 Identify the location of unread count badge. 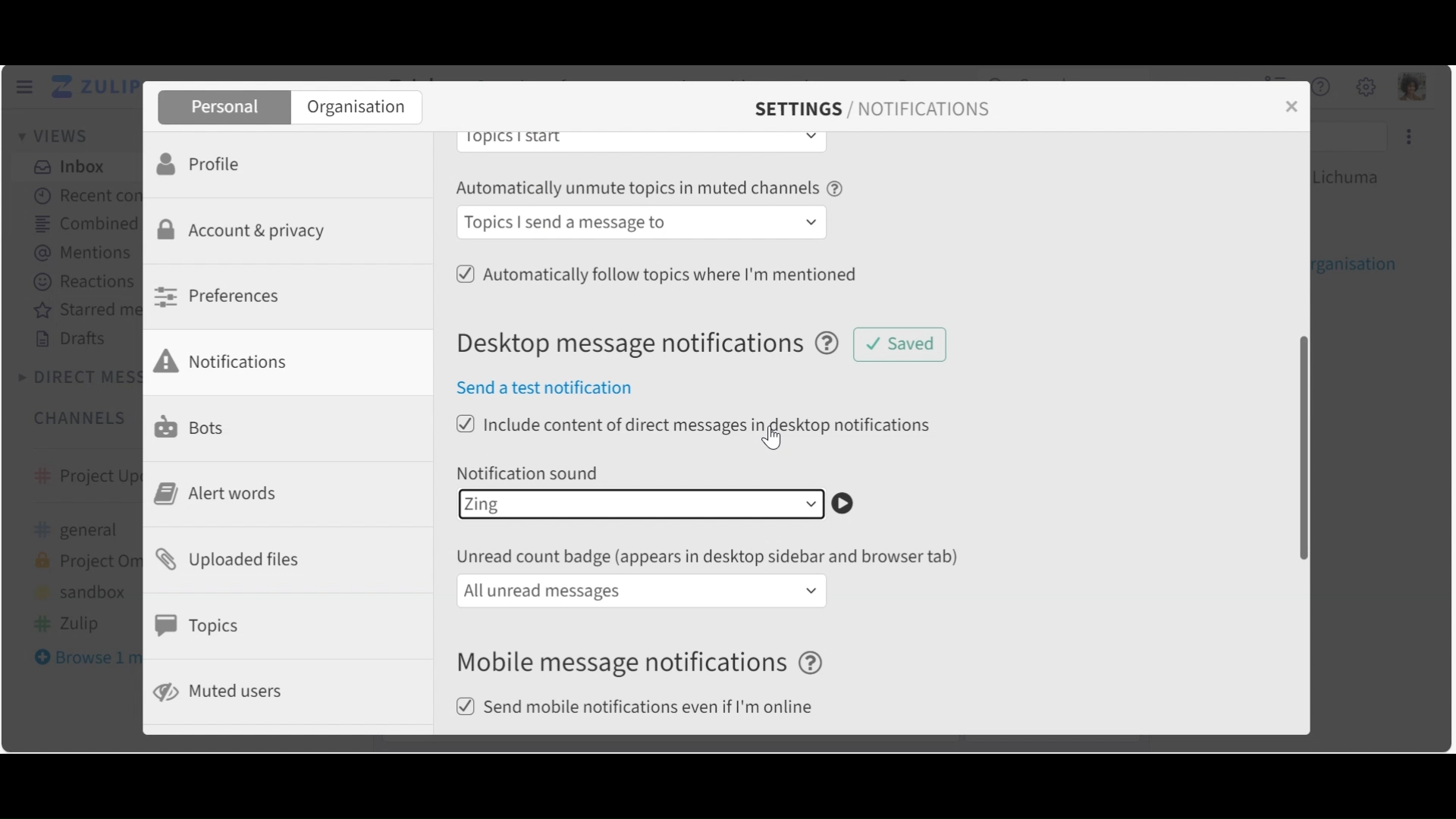
(713, 557).